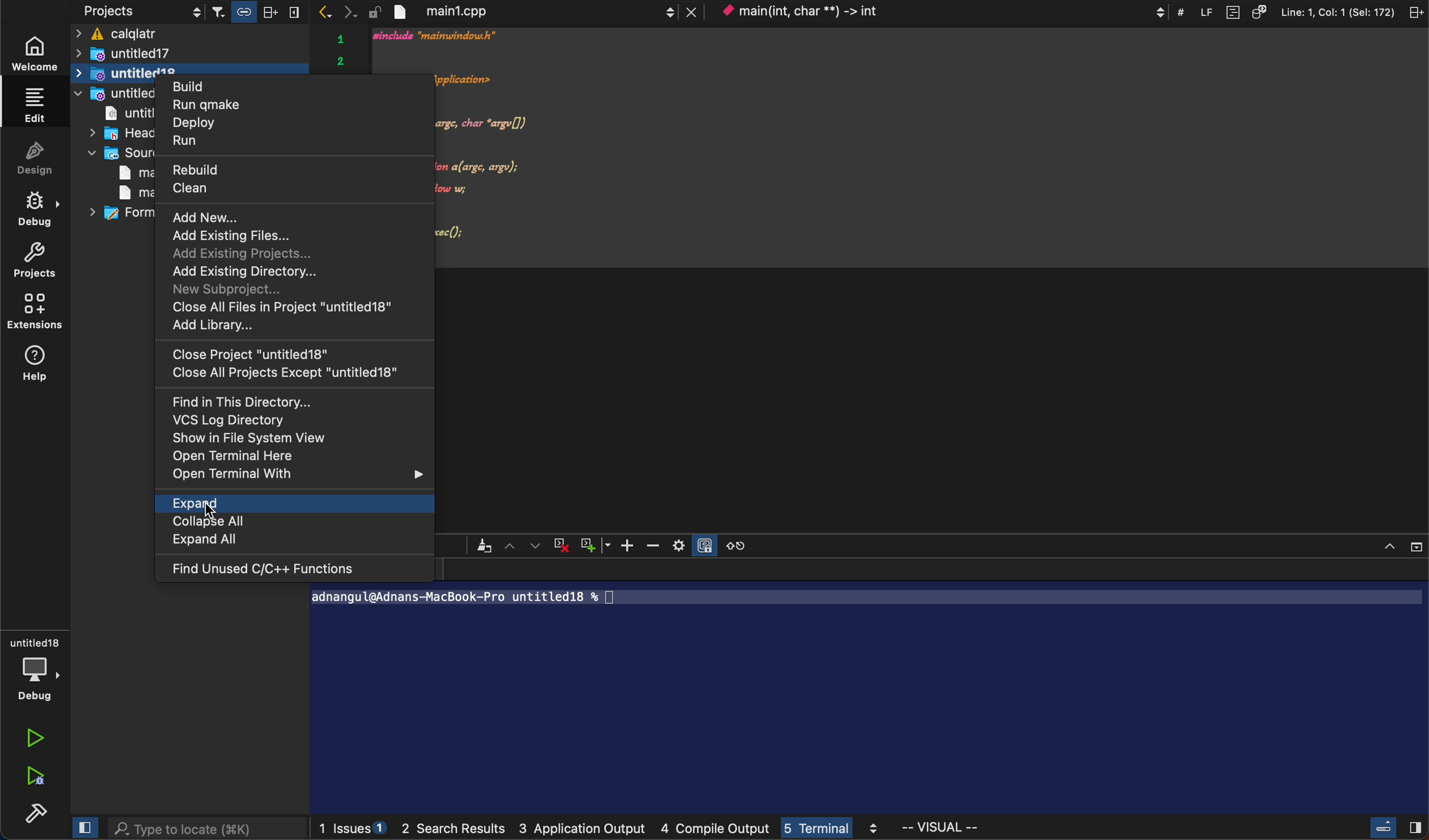  I want to click on untitled, so click(184, 53).